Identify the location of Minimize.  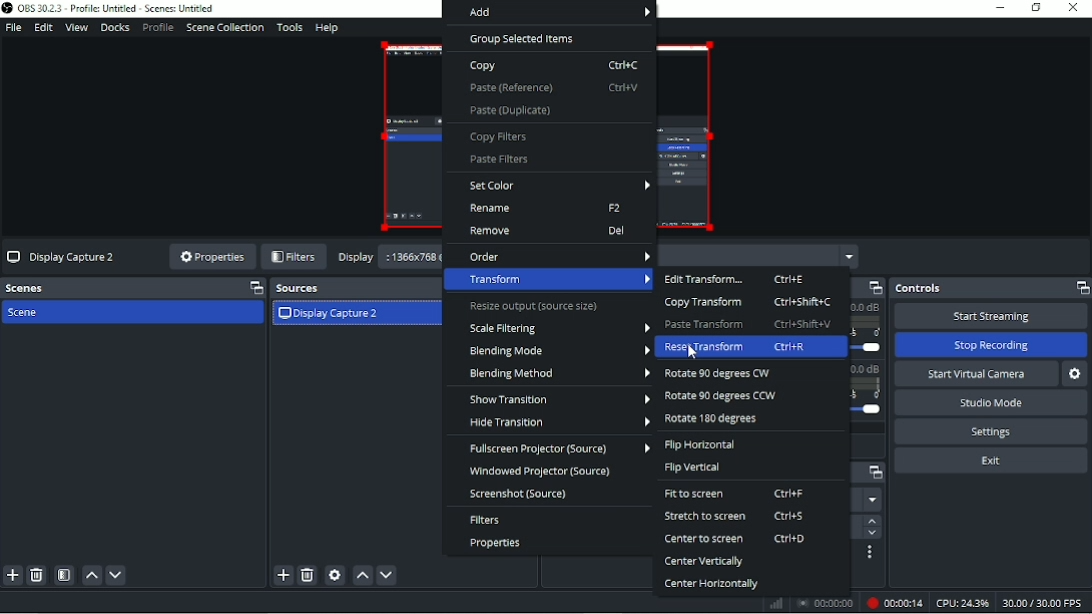
(1001, 7).